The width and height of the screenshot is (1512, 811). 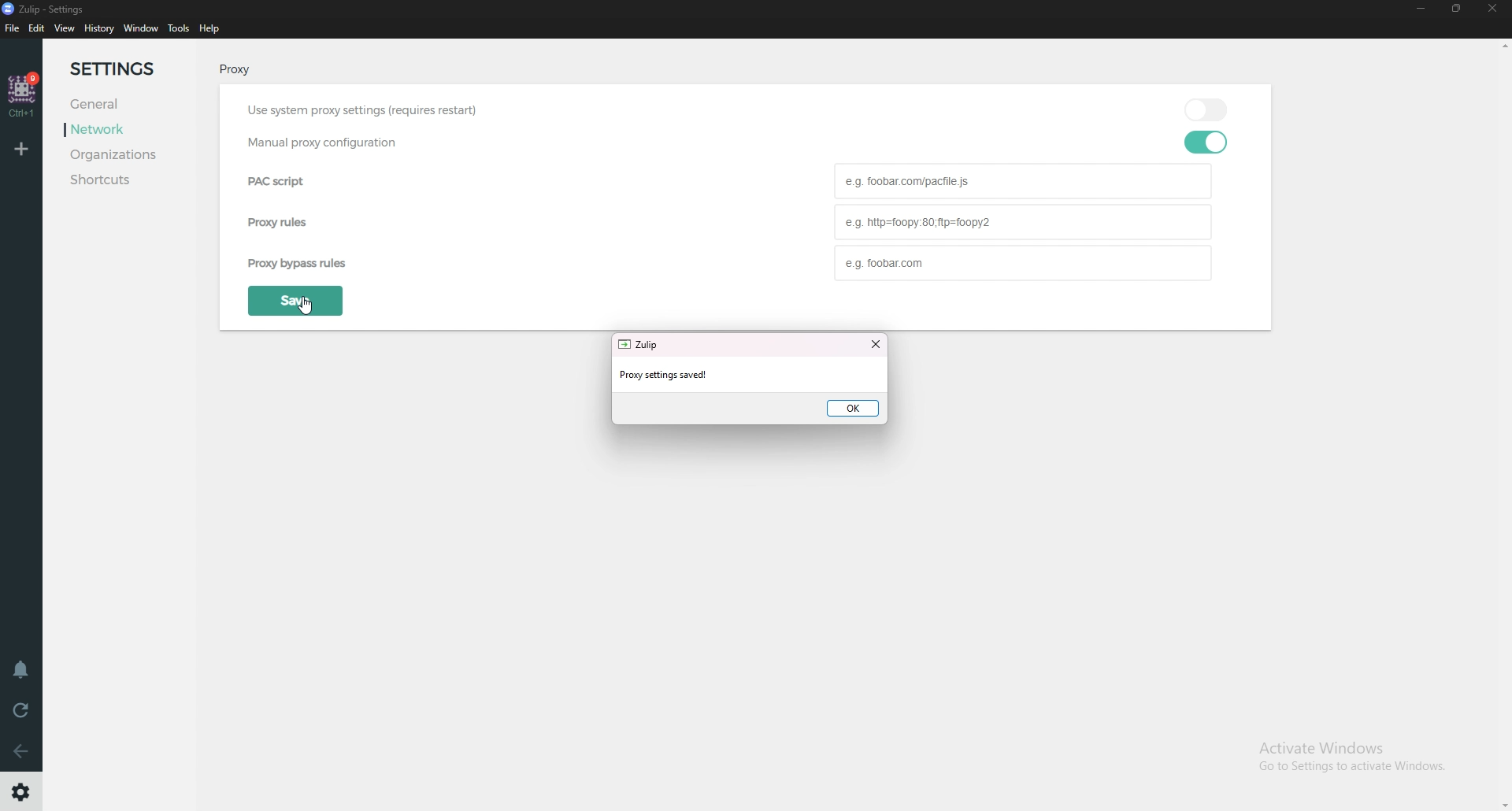 I want to click on ok, so click(x=854, y=408).